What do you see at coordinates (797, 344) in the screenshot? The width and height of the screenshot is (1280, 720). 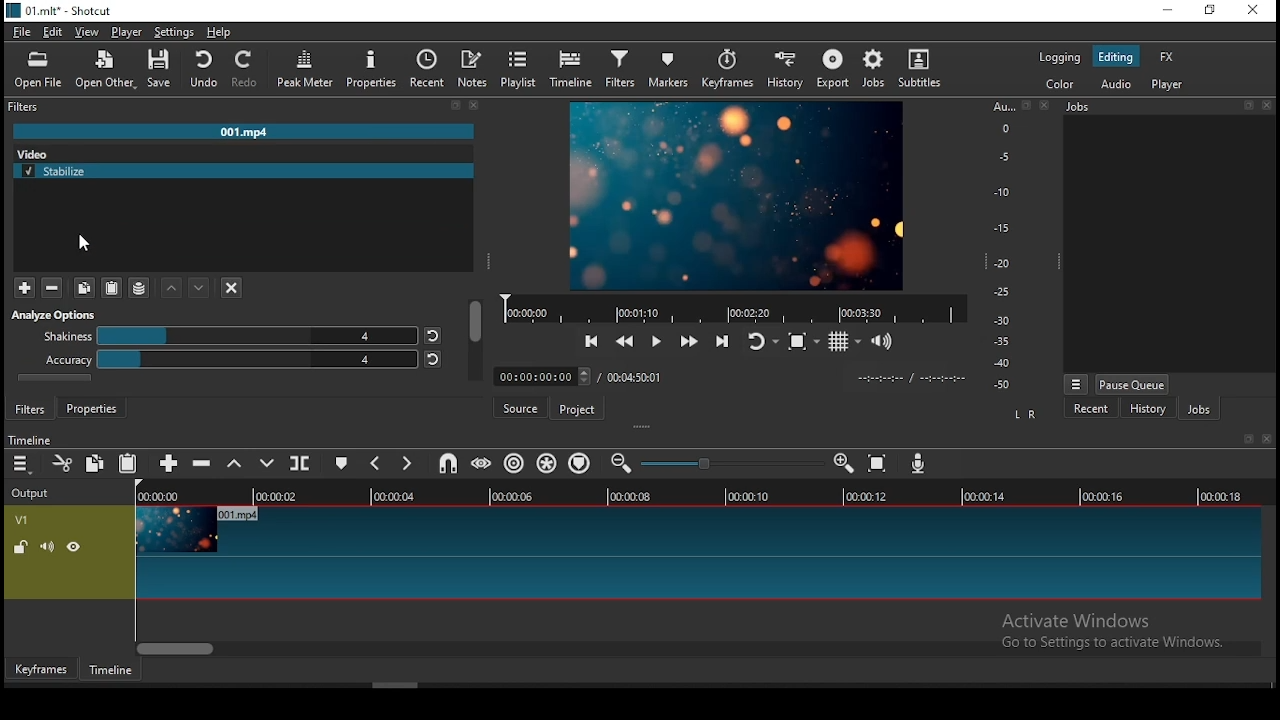 I see `stop` at bounding box center [797, 344].